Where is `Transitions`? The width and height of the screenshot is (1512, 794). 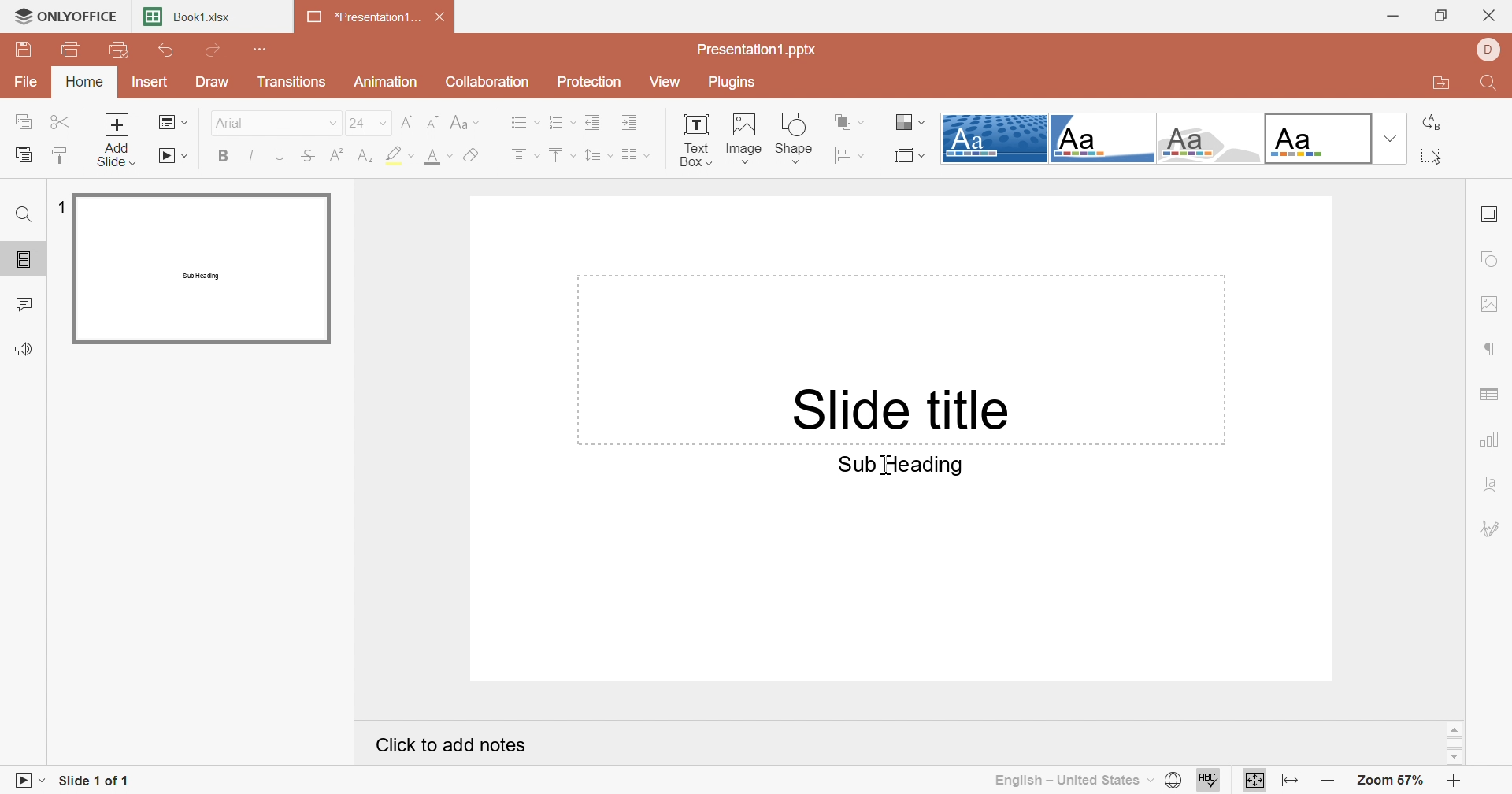
Transitions is located at coordinates (291, 82).